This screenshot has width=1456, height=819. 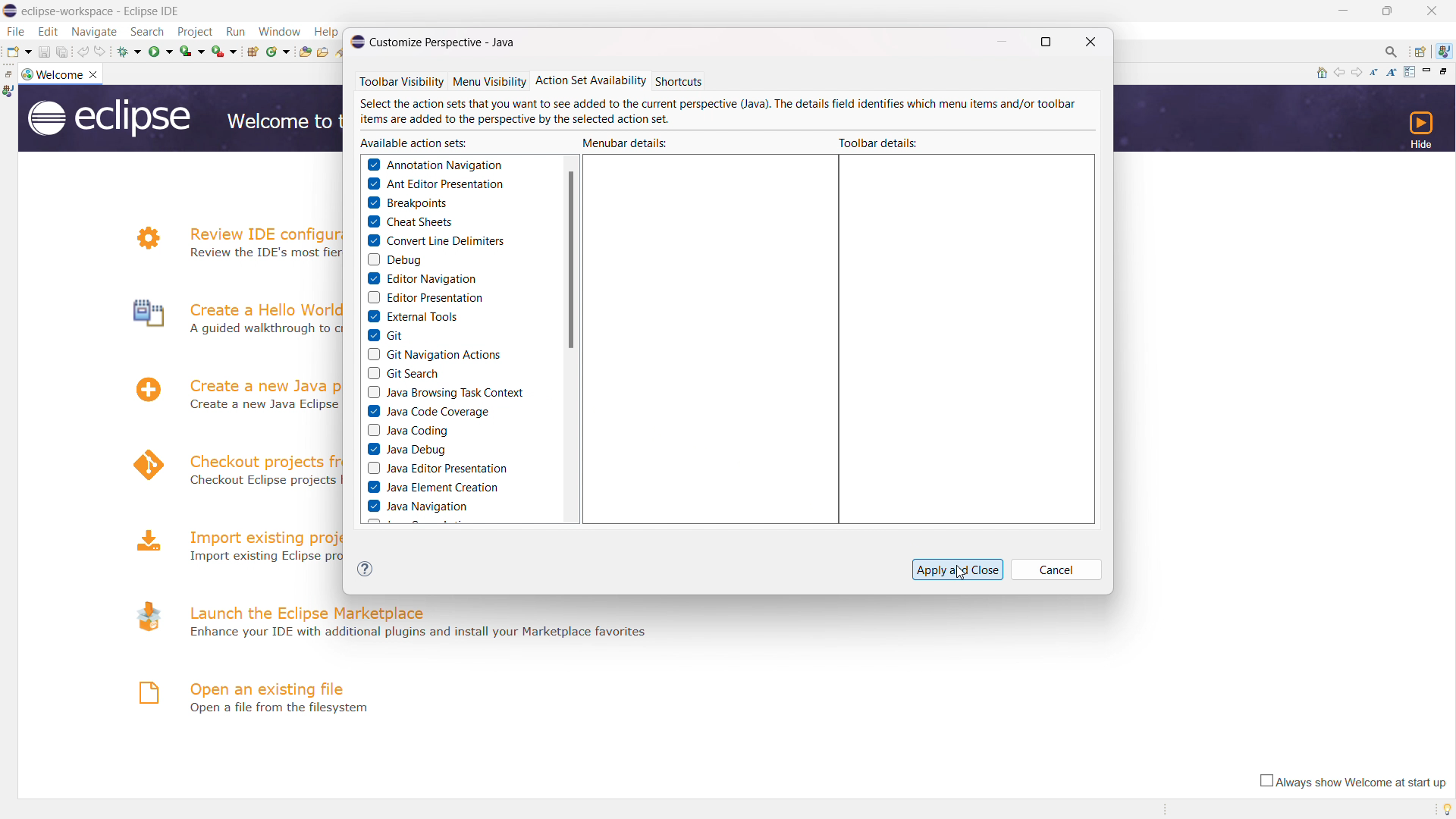 I want to click on java browsing task context, so click(x=444, y=391).